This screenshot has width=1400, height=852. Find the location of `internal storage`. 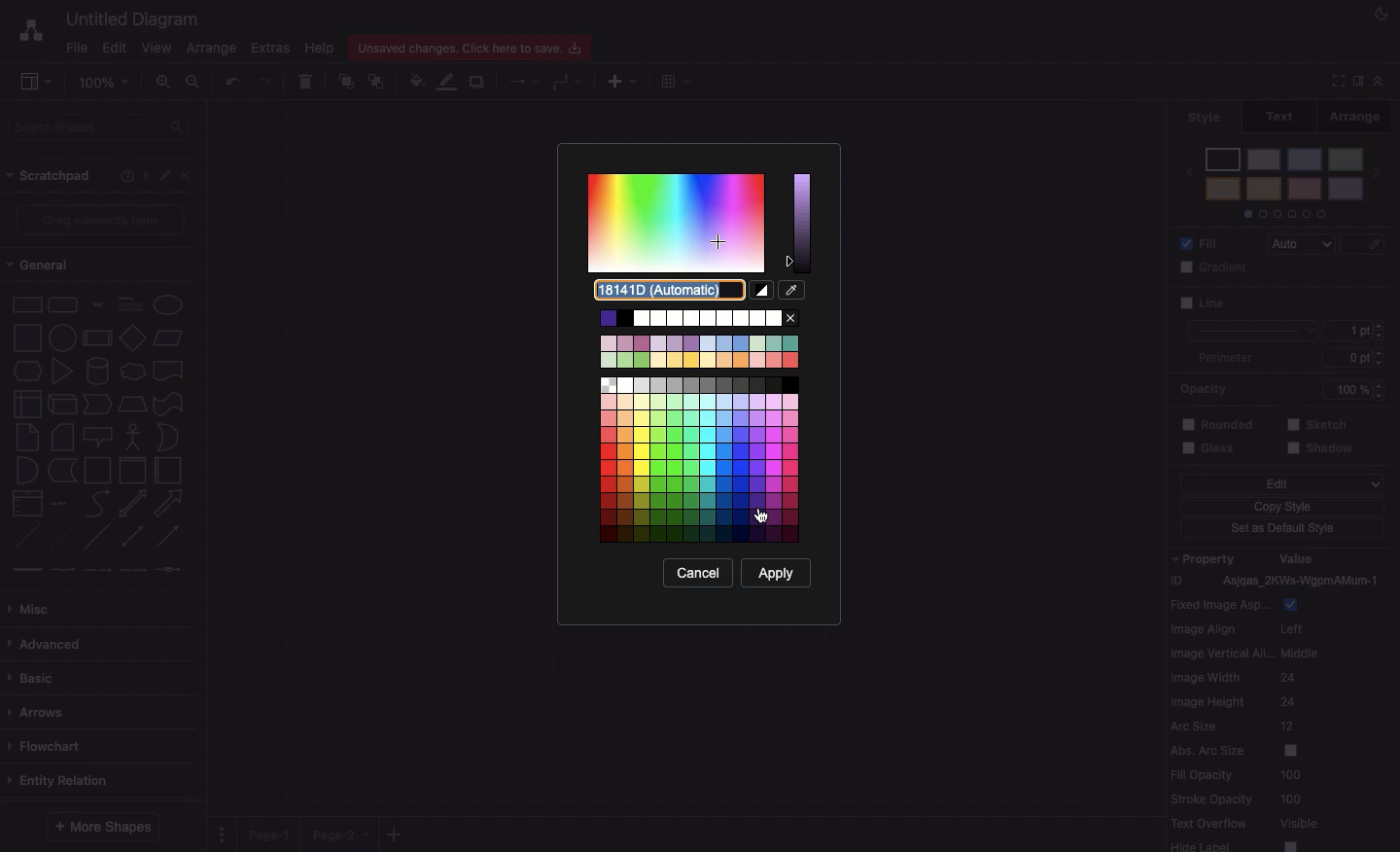

internal storage is located at coordinates (25, 403).